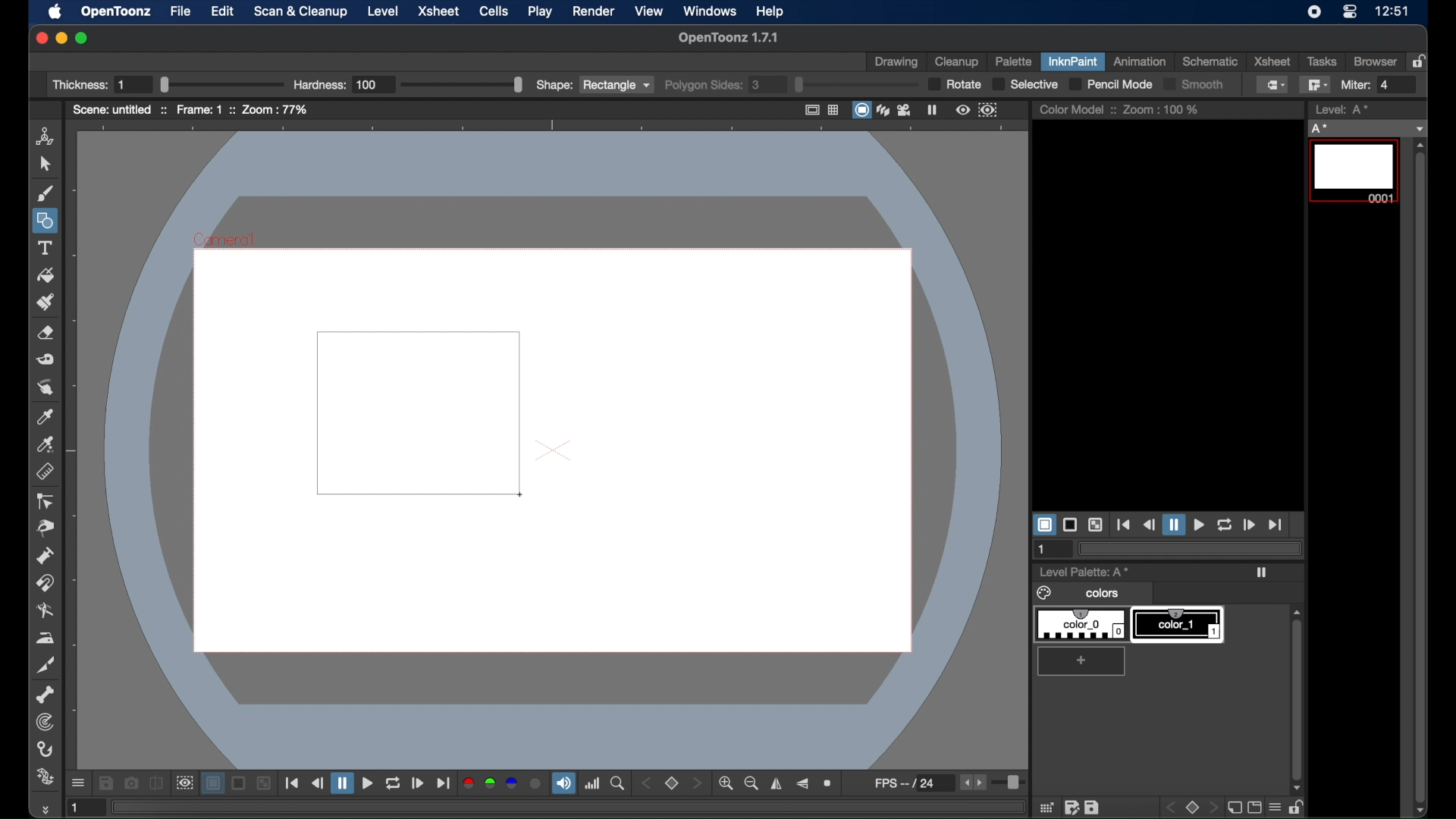 The image size is (1456, 819). Describe the element at coordinates (240, 783) in the screenshot. I see `black background` at that location.